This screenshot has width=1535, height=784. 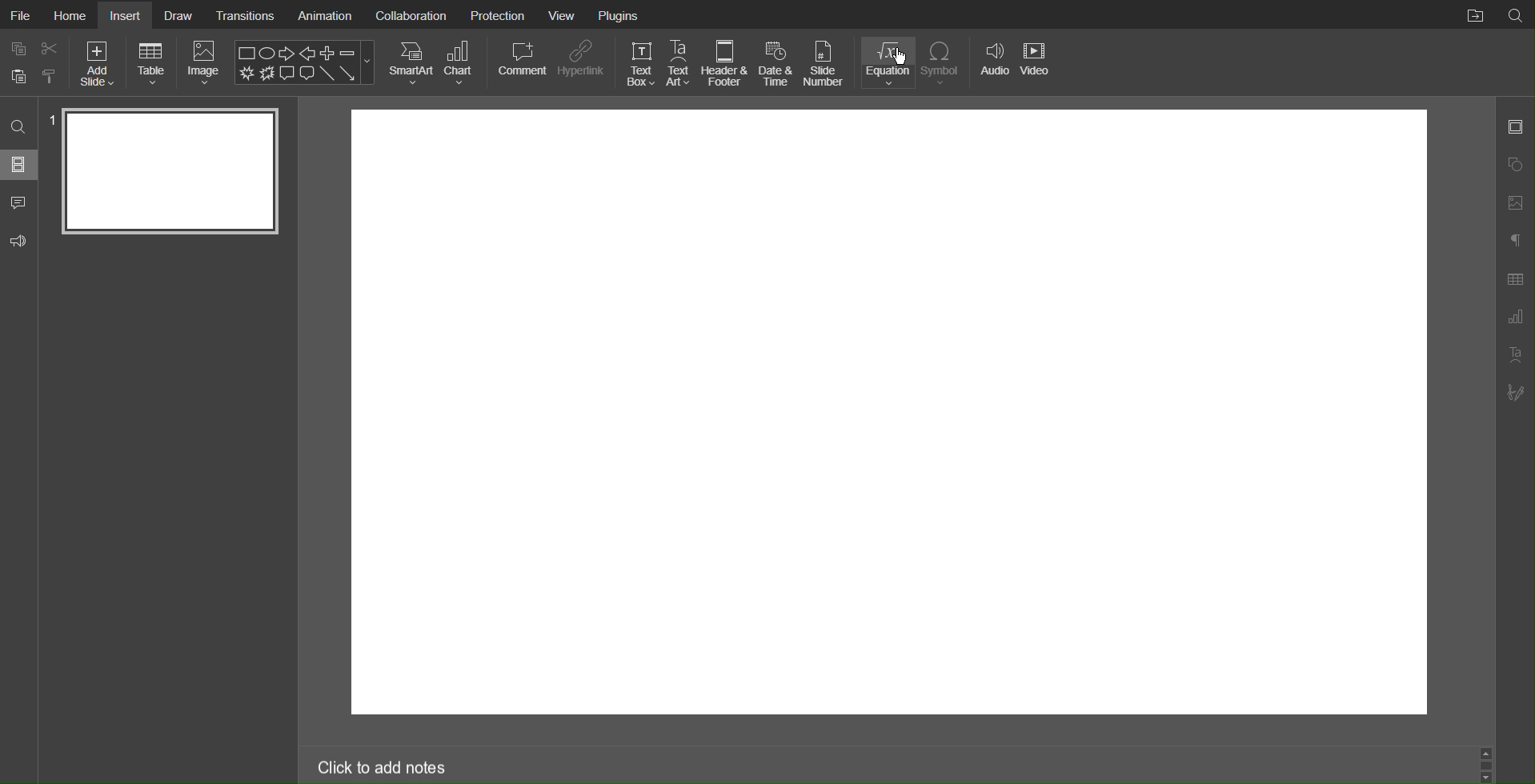 What do you see at coordinates (410, 14) in the screenshot?
I see `Collaboration` at bounding box center [410, 14].